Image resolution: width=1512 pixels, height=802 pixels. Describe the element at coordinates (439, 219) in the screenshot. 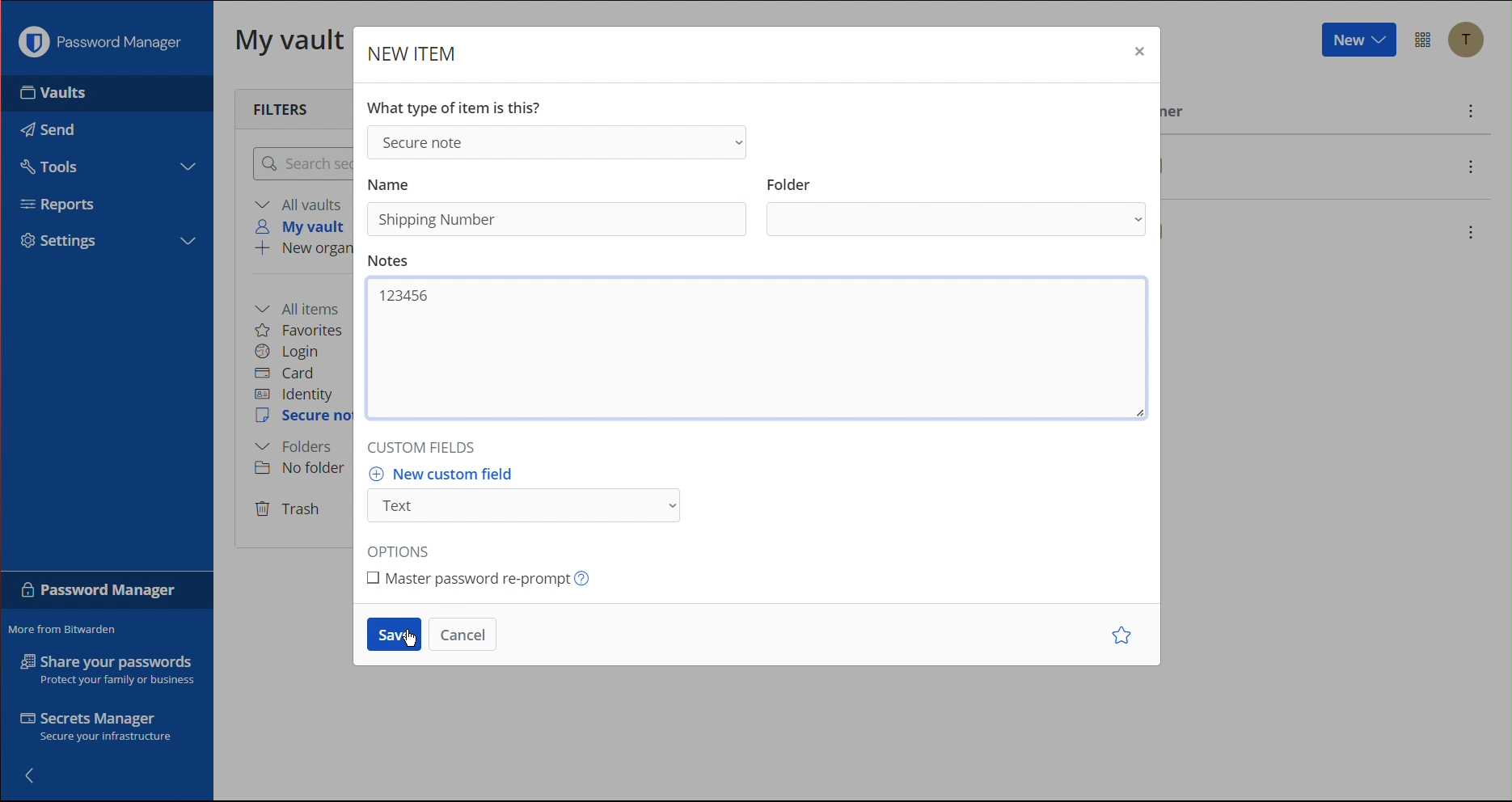

I see `Shipping Number` at that location.